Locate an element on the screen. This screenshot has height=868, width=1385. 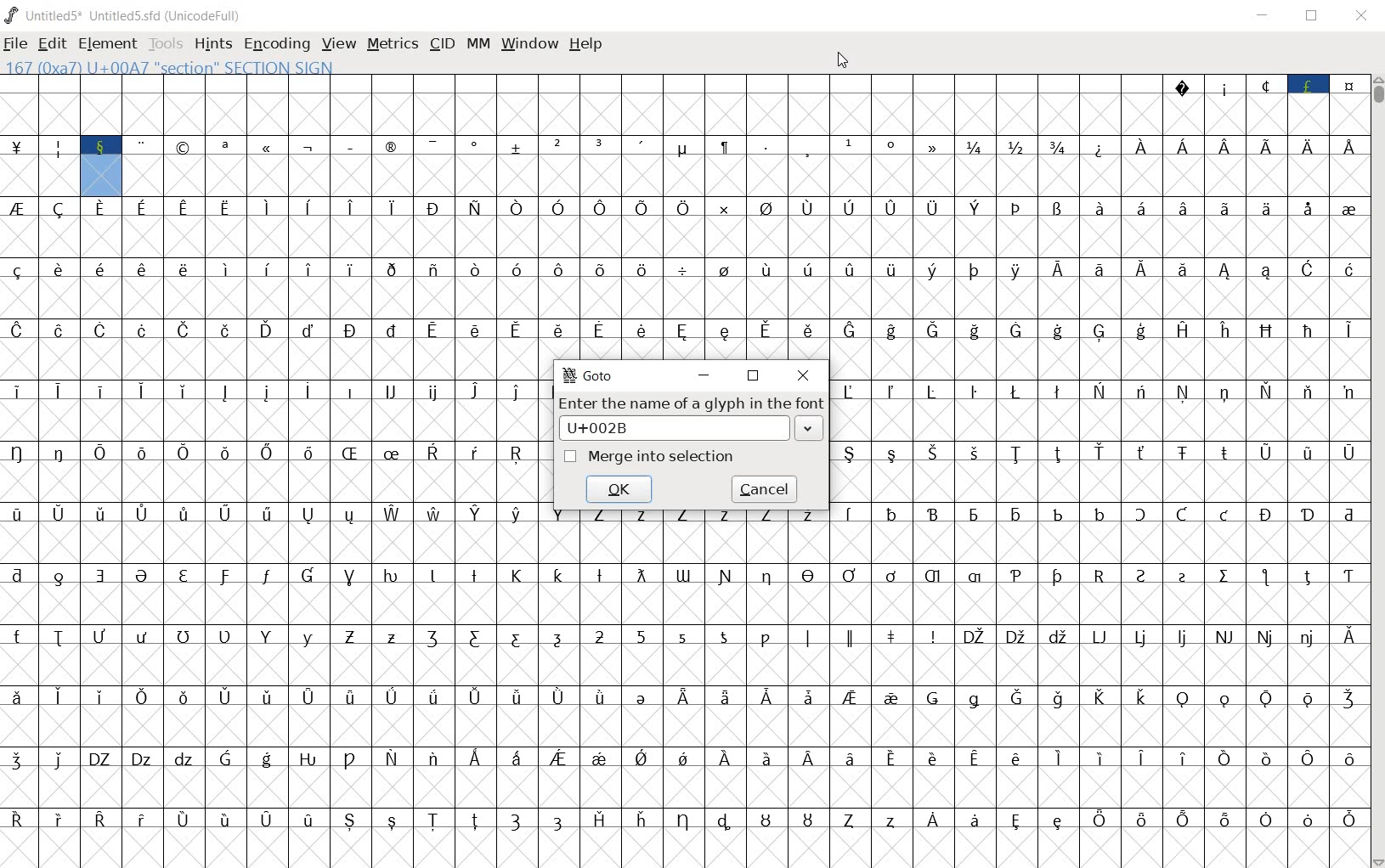
help is located at coordinates (586, 45).